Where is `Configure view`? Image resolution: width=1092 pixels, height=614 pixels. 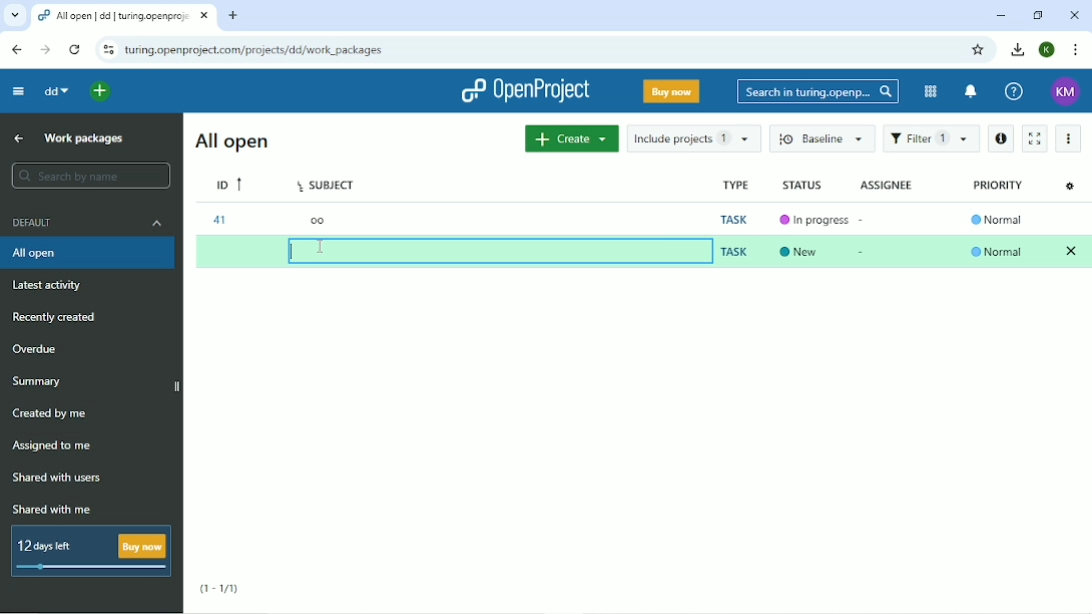
Configure view is located at coordinates (1070, 188).